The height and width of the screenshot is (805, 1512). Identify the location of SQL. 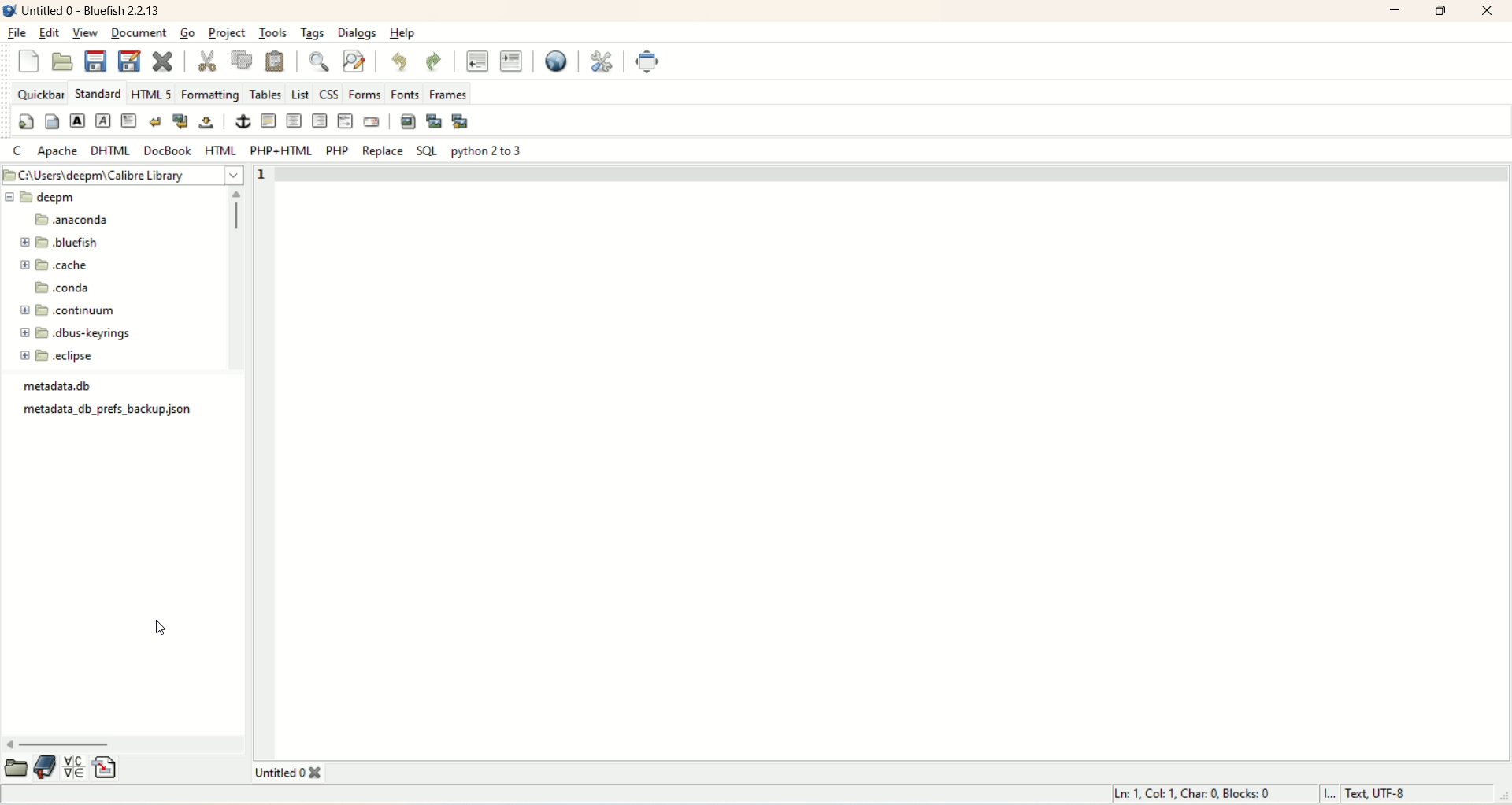
(424, 150).